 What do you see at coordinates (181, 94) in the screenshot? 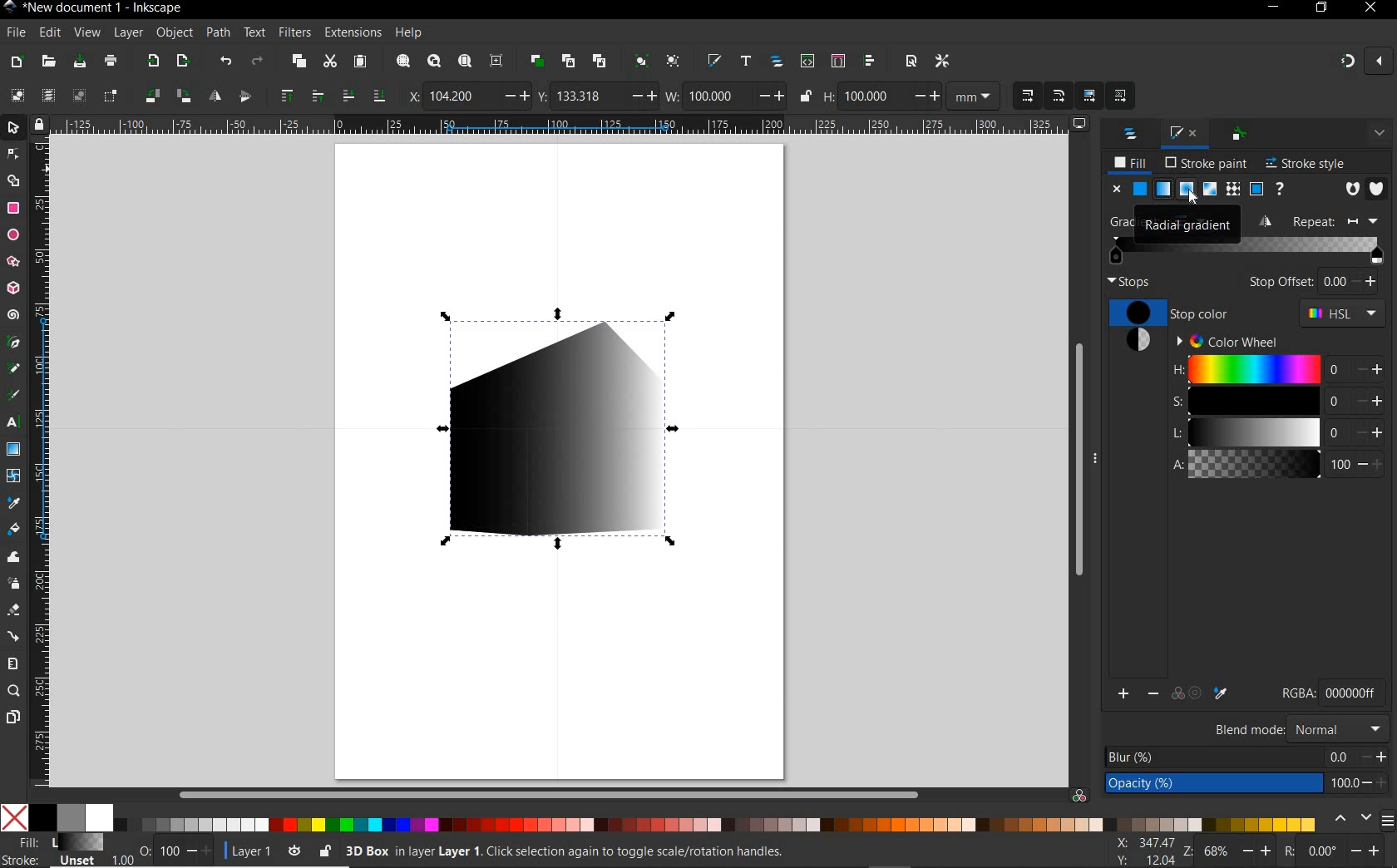
I see `OBJECT ROTATE` at bounding box center [181, 94].